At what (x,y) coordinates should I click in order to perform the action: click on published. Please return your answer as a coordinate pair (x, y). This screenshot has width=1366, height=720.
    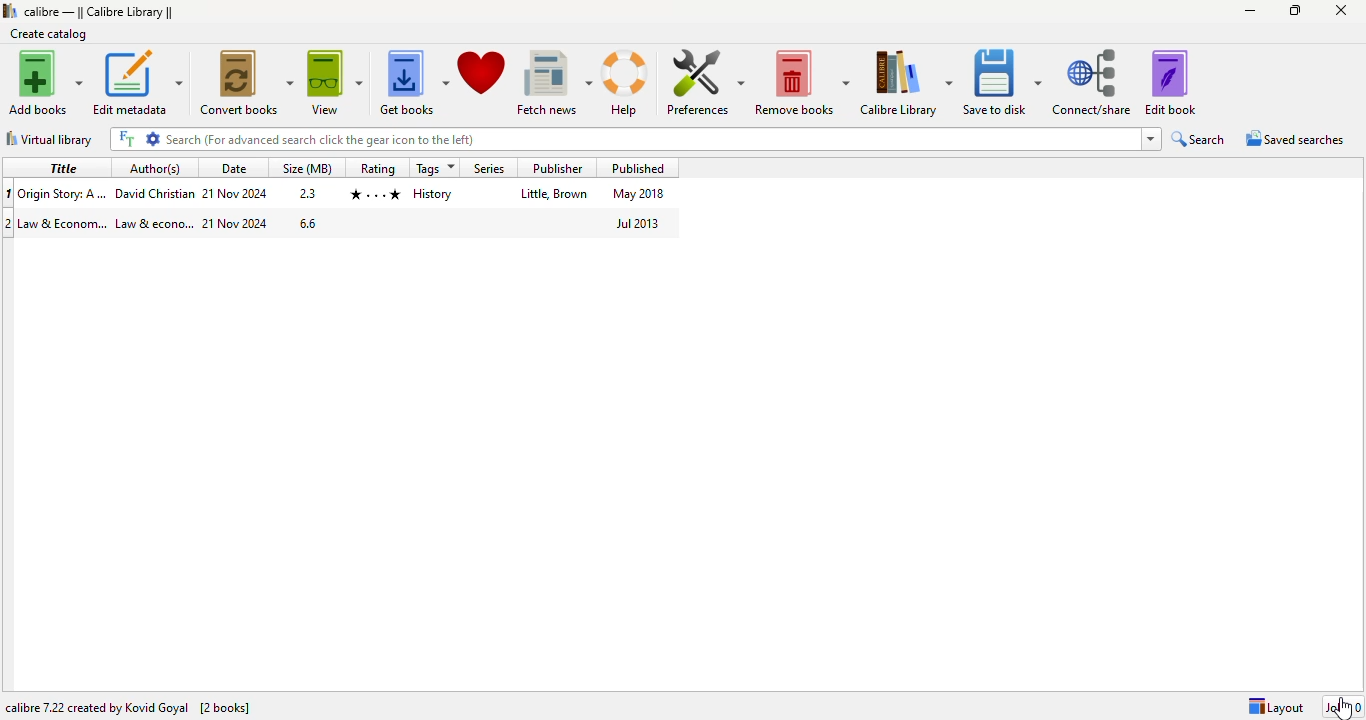
    Looking at the image, I should click on (638, 167).